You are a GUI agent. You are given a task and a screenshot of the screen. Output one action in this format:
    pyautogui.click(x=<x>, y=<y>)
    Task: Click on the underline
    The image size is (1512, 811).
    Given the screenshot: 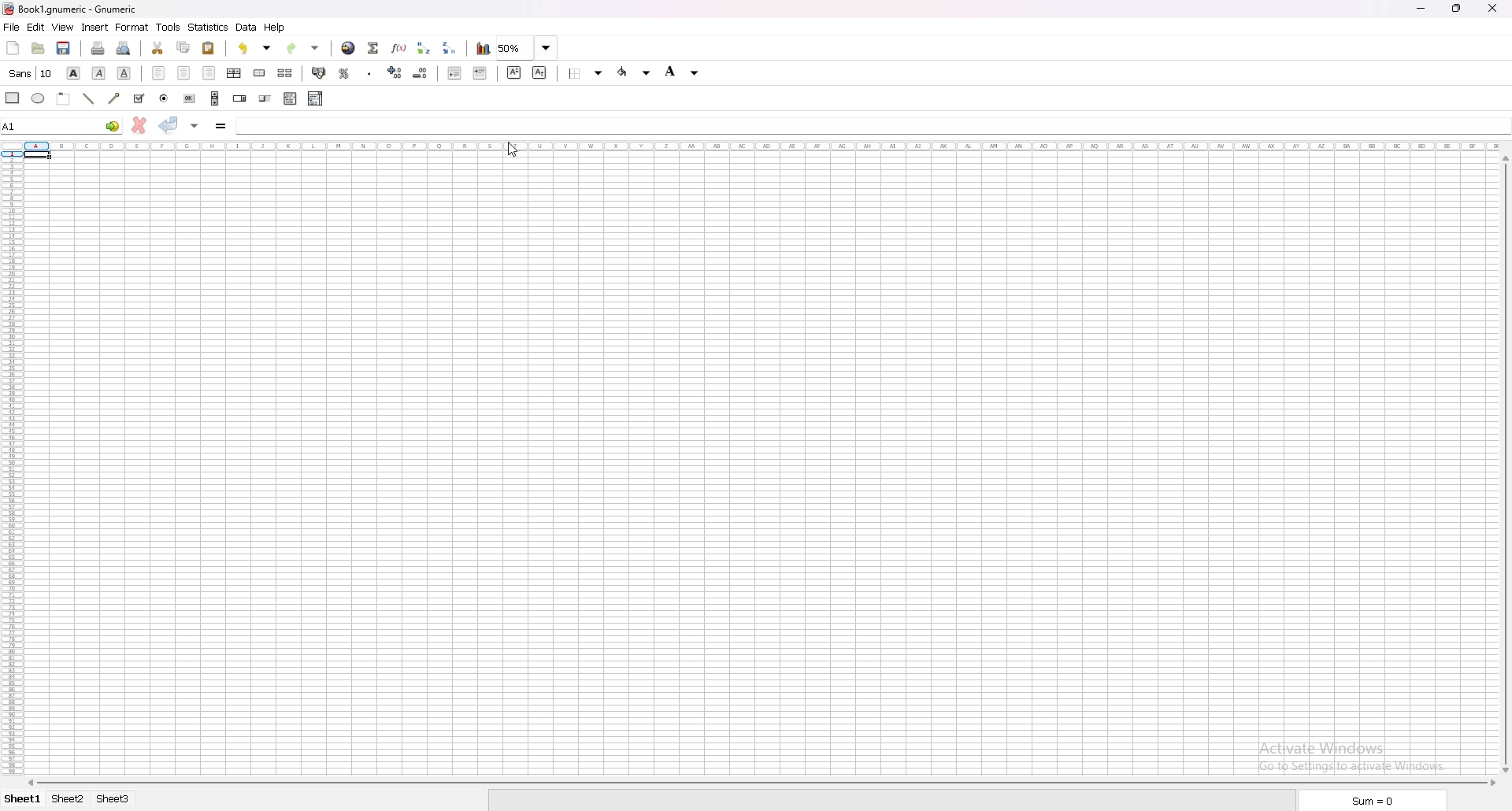 What is the action you would take?
    pyautogui.click(x=124, y=73)
    